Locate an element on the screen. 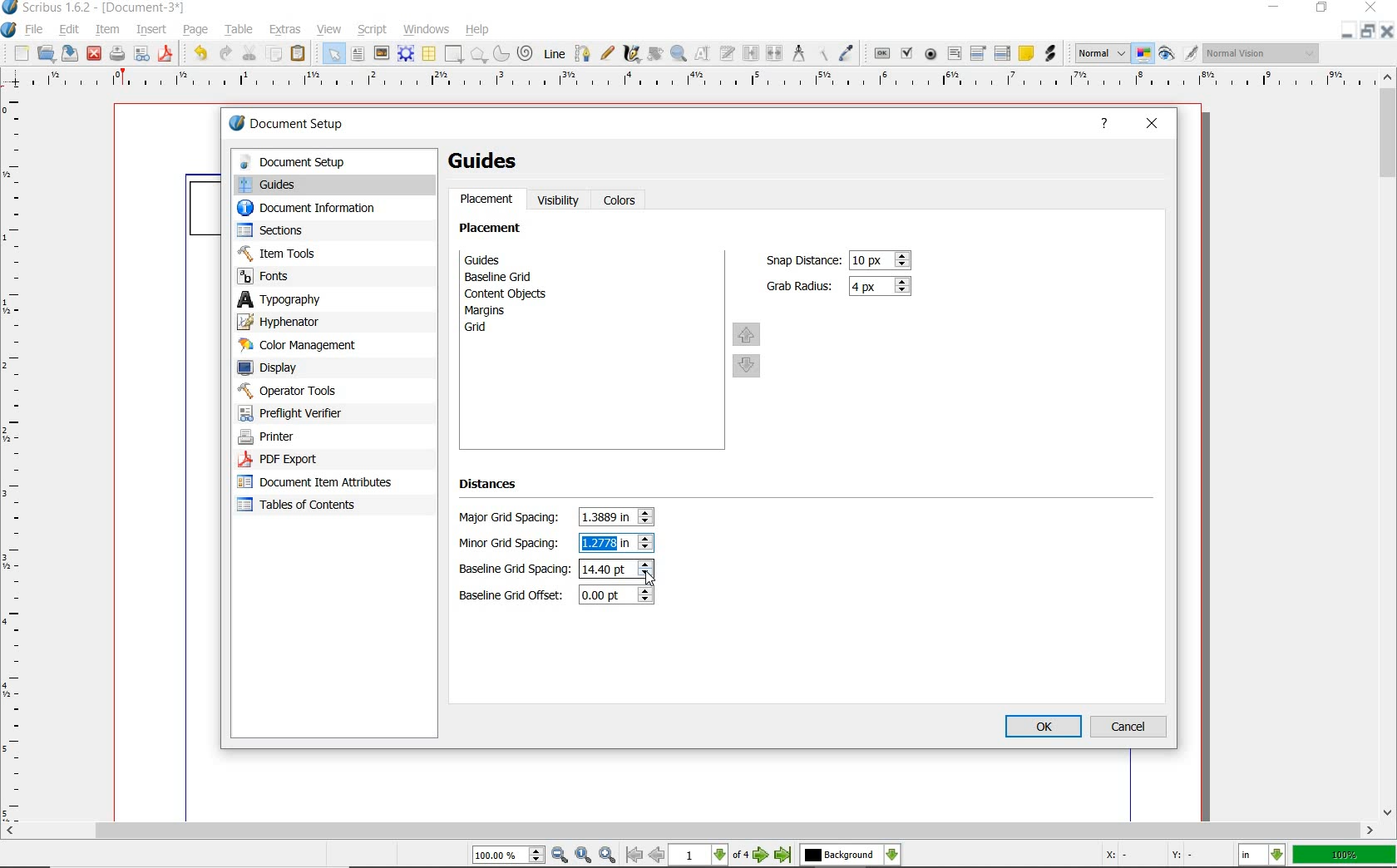 This screenshot has height=868, width=1397. major grid spacing value is located at coordinates (608, 518).